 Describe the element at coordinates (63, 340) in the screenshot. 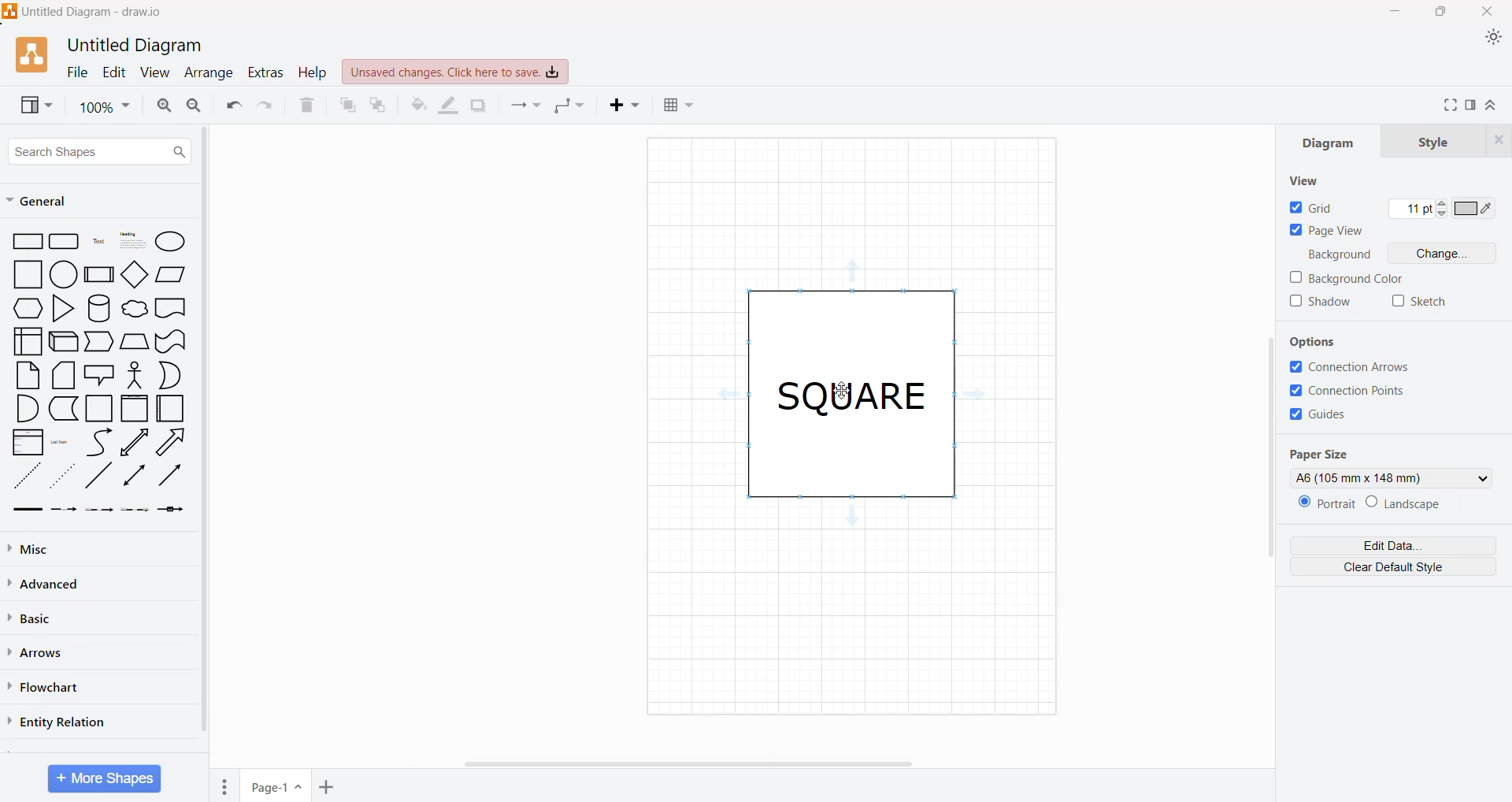

I see `3D Rectangle` at that location.